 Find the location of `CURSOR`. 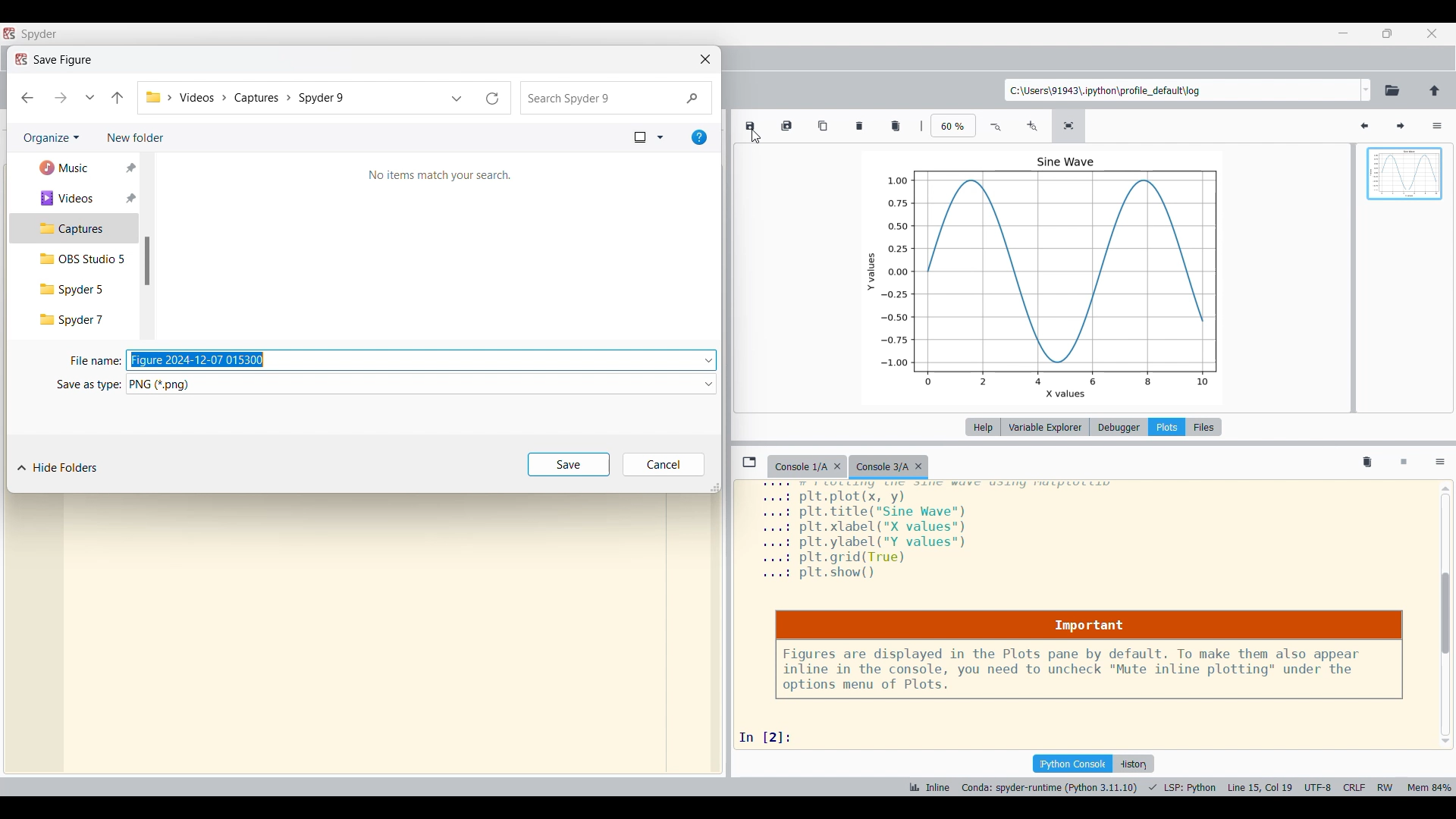

CURSOR is located at coordinates (758, 134).